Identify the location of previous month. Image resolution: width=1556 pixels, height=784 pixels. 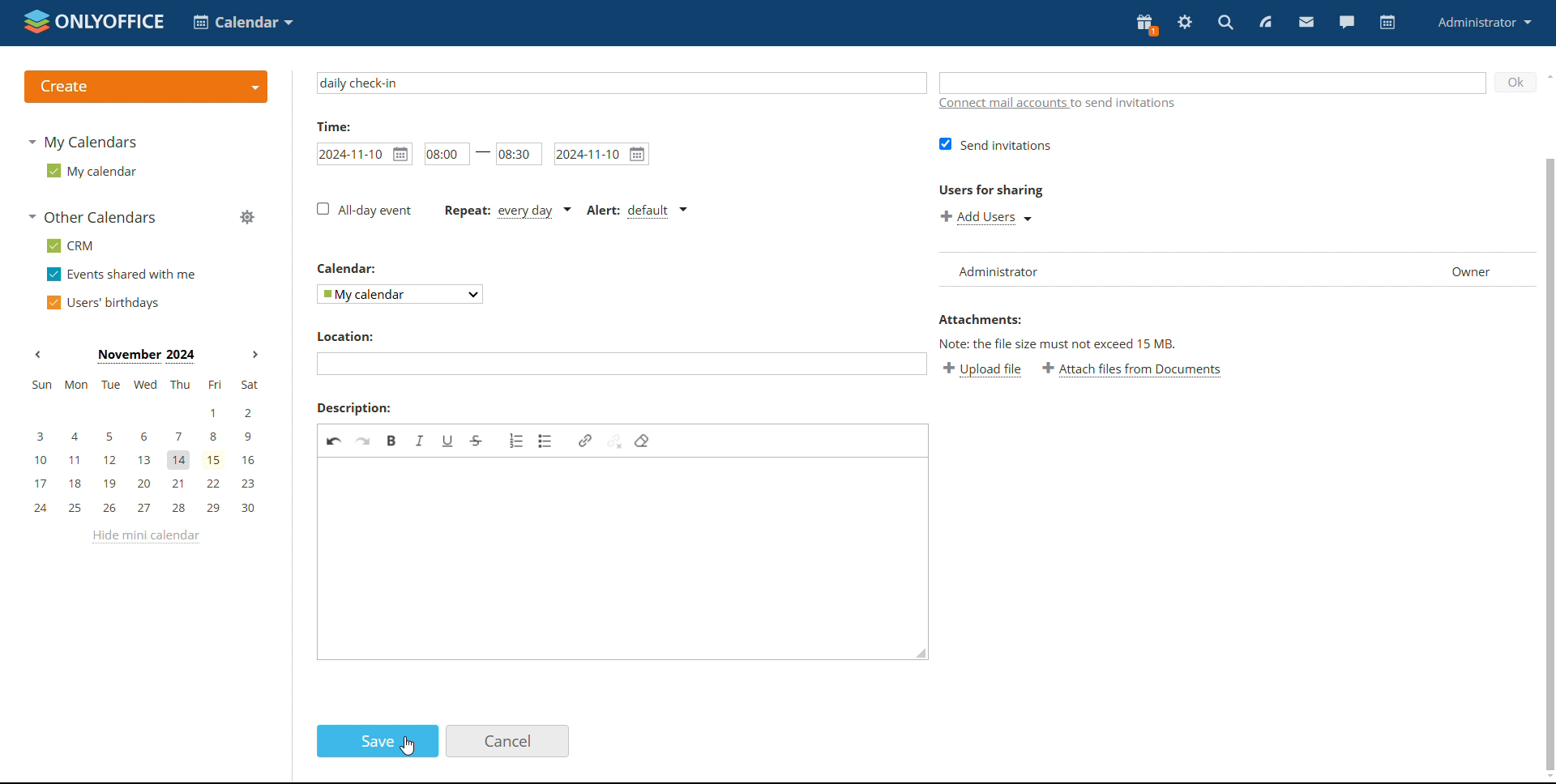
(37, 356).